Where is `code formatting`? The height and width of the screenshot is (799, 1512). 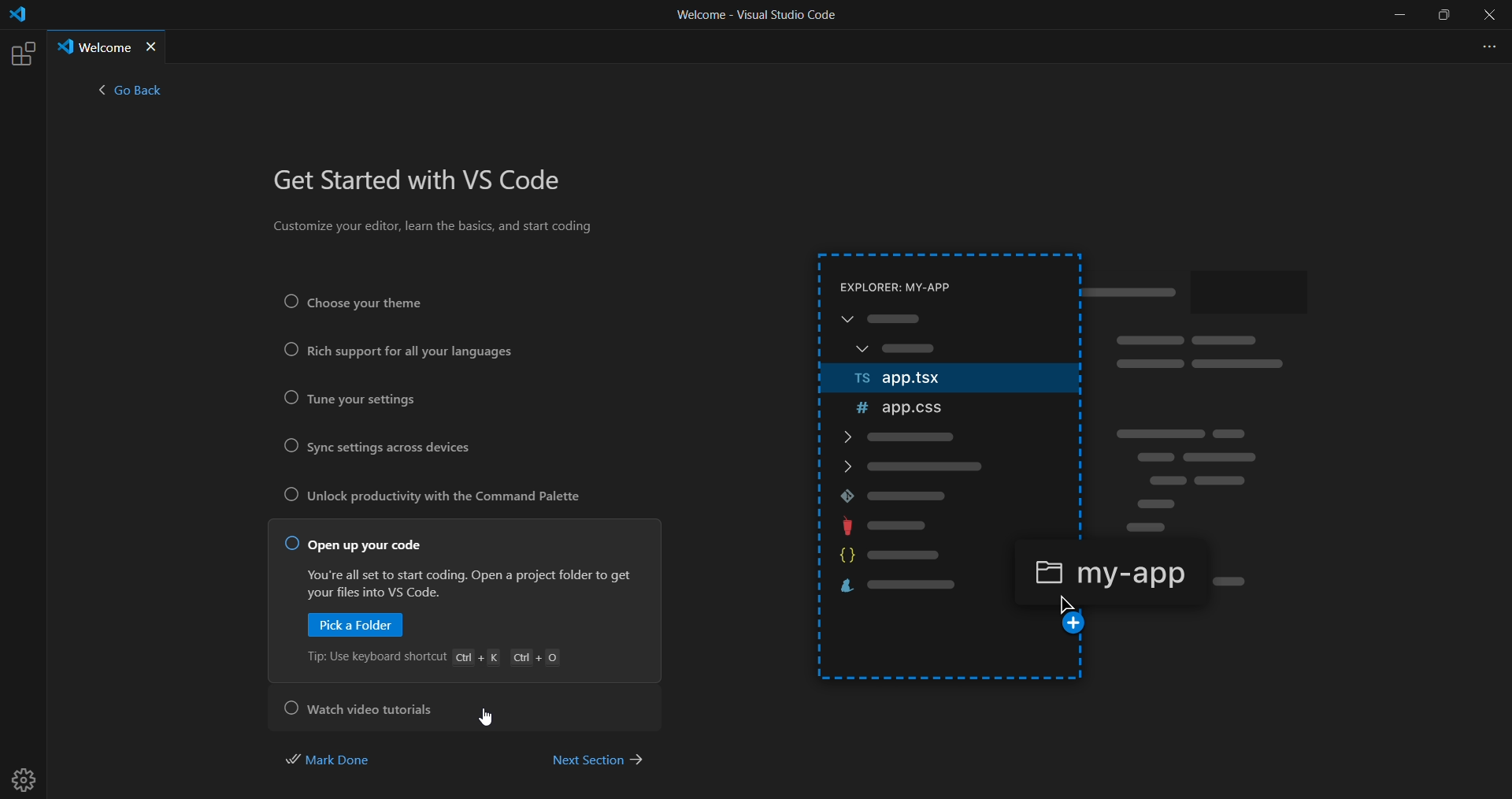 code formatting is located at coordinates (906, 557).